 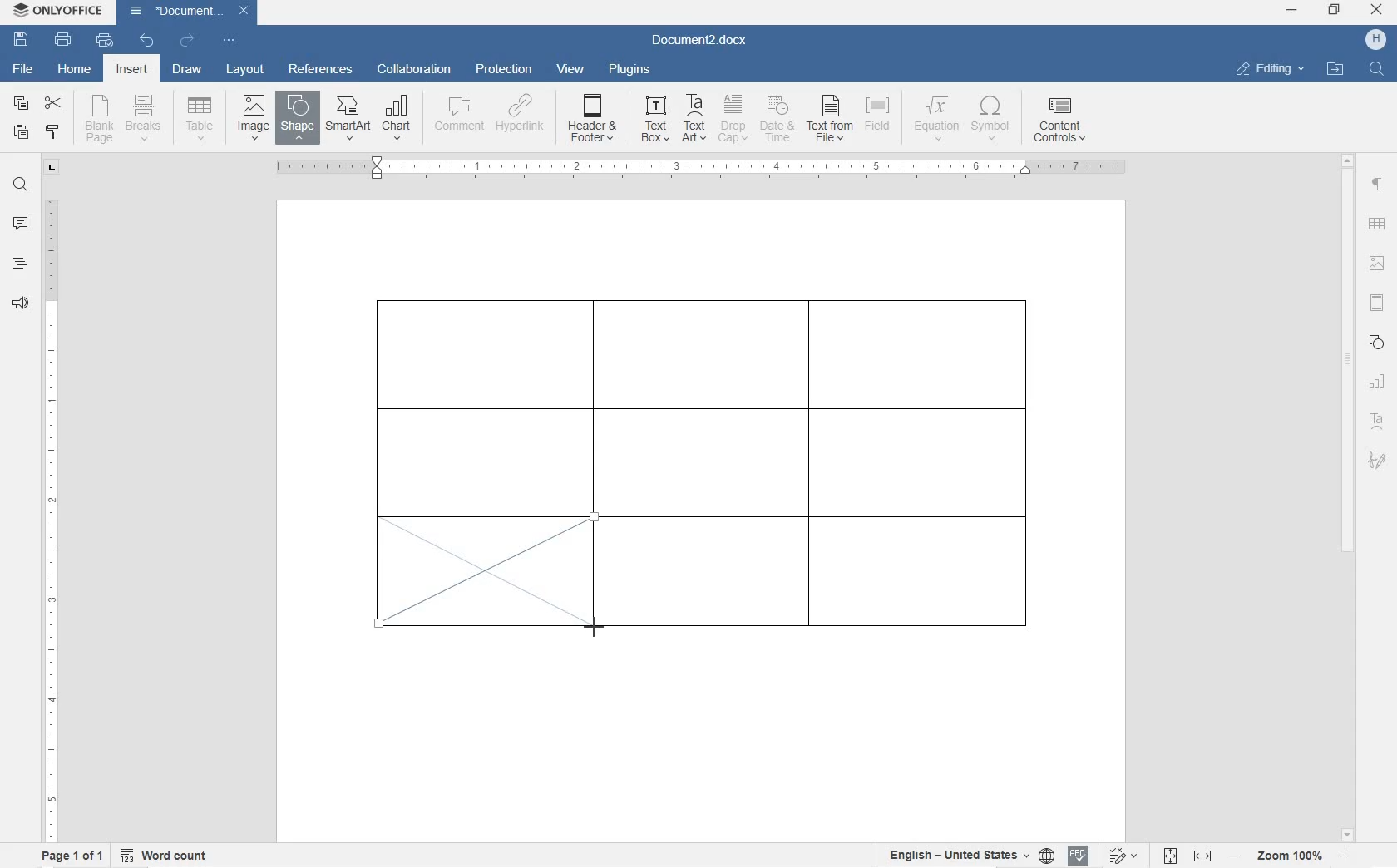 I want to click on table, so click(x=1377, y=225).